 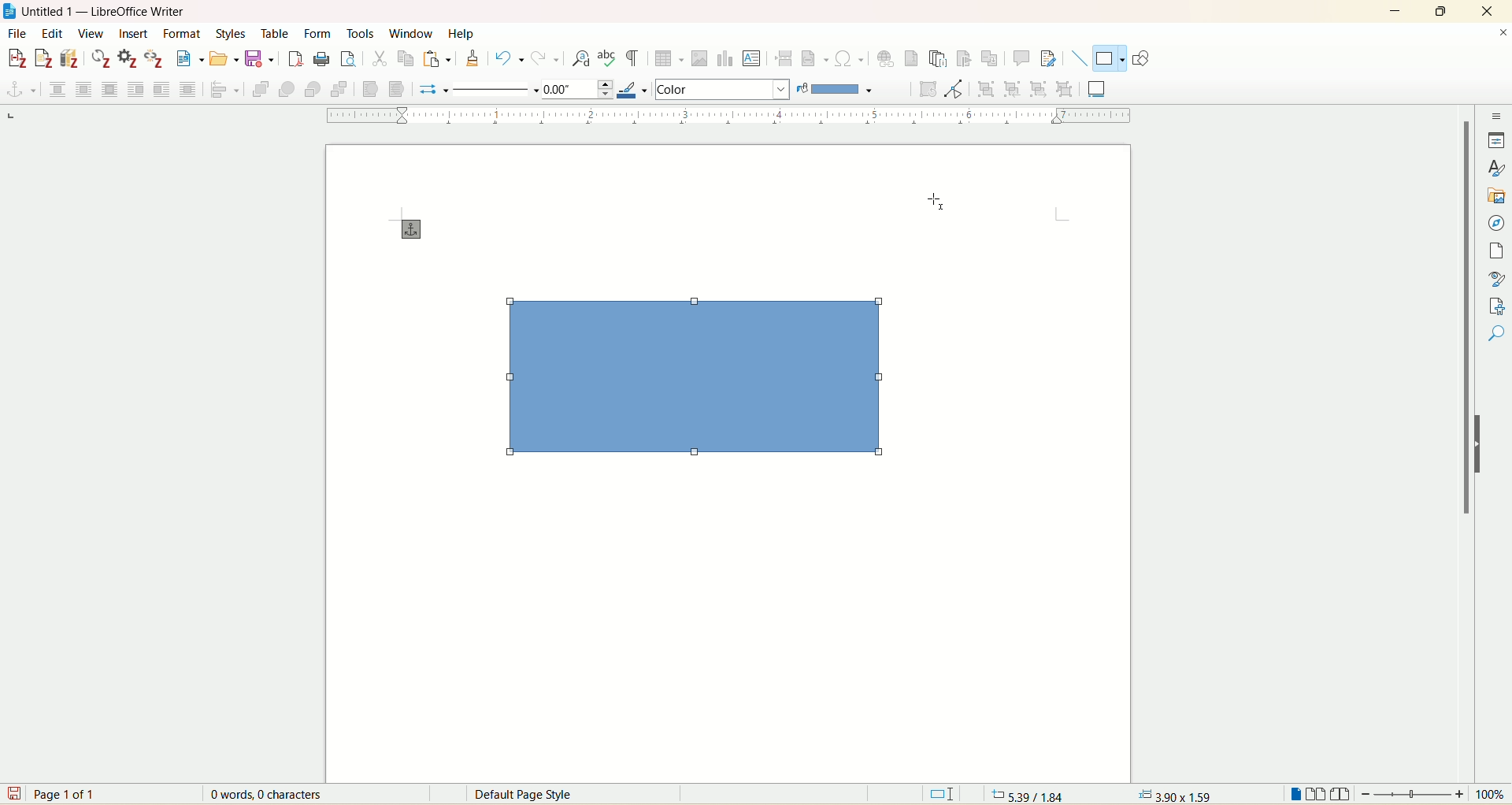 I want to click on insert footnote, so click(x=916, y=58).